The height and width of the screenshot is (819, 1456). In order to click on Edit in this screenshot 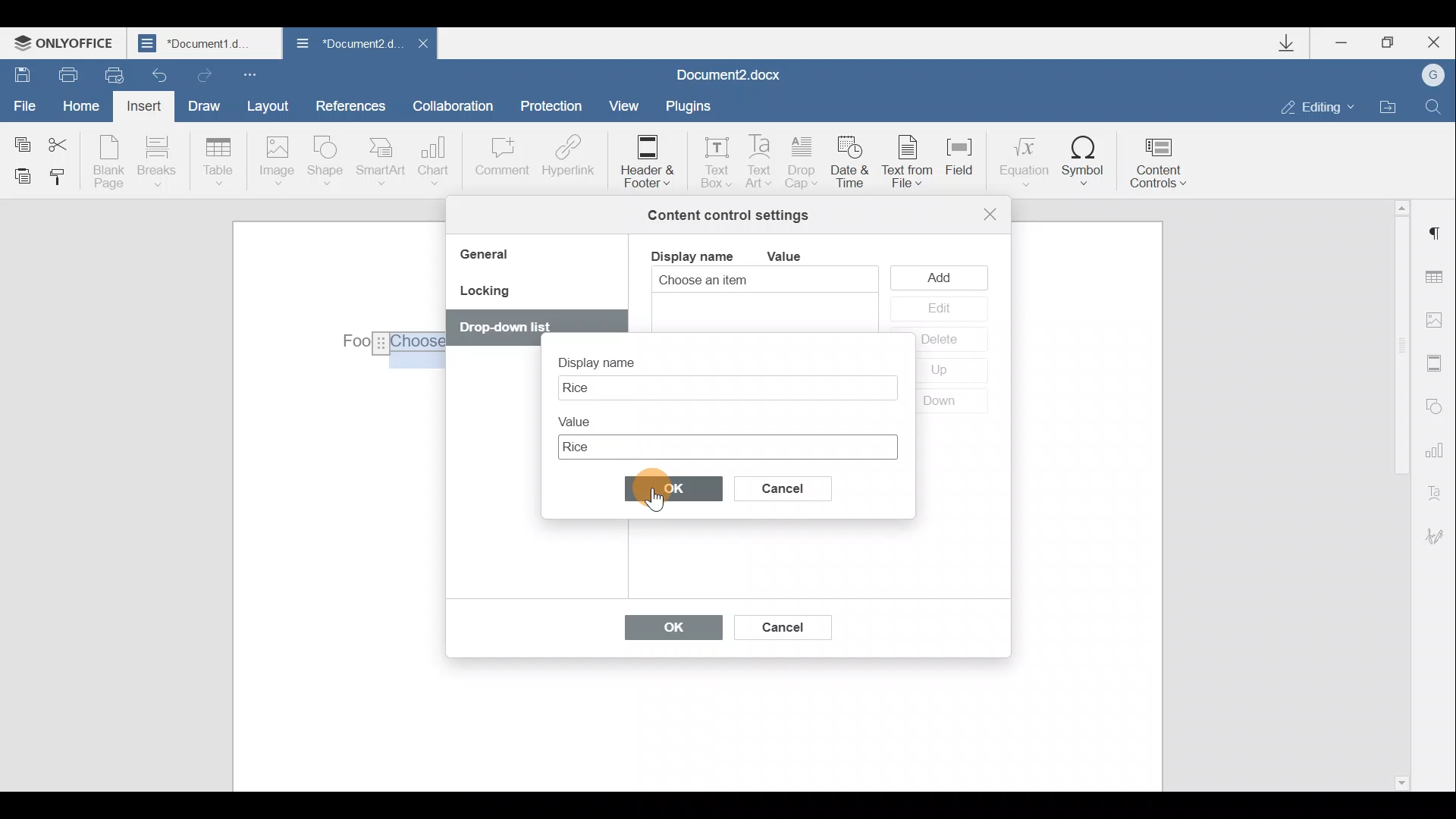, I will do `click(938, 309)`.